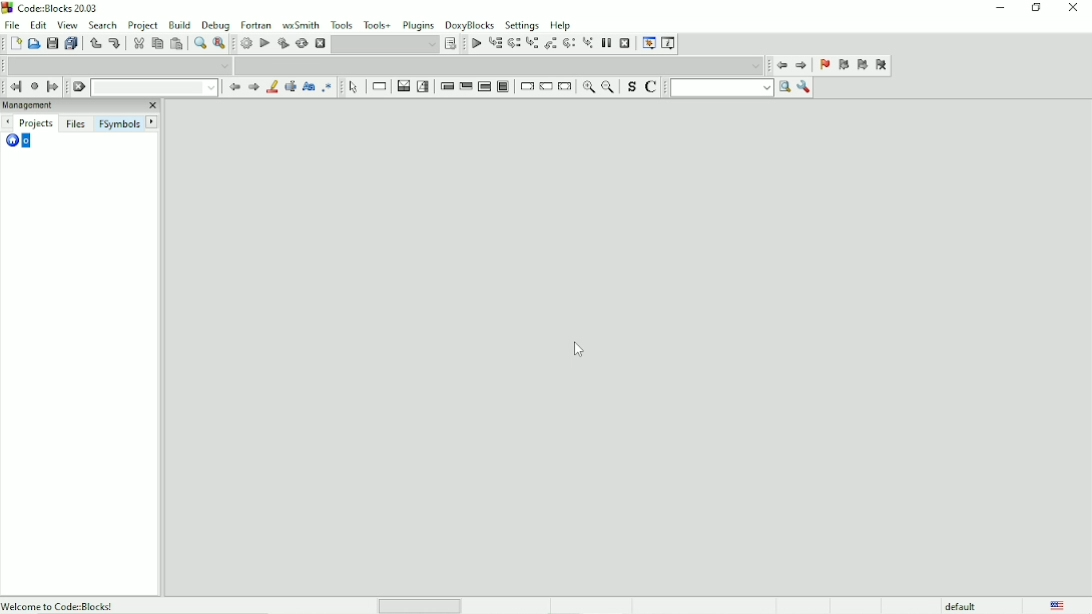 The height and width of the screenshot is (614, 1092). I want to click on Previous bookmark, so click(843, 67).